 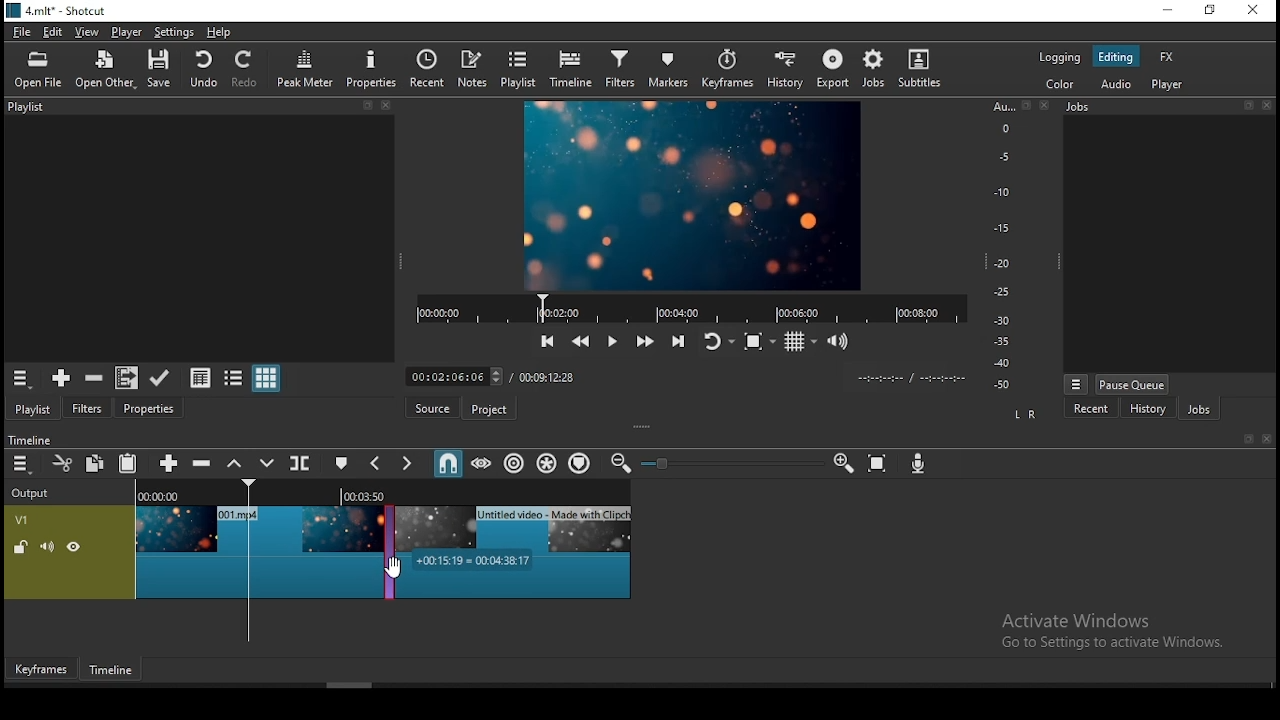 I want to click on scrub while dragging, so click(x=483, y=463).